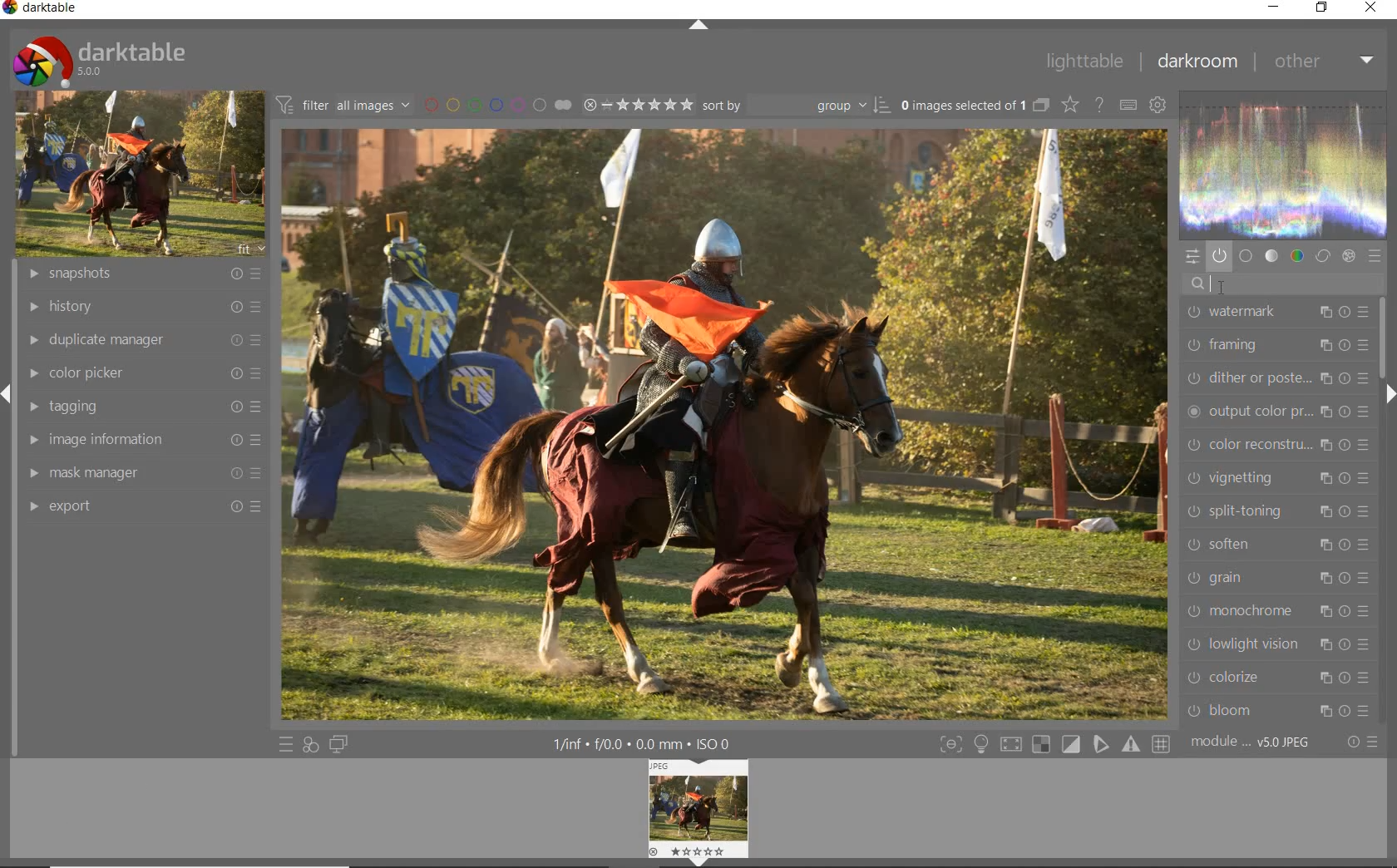 This screenshot has width=1397, height=868. I want to click on other, so click(1323, 61).